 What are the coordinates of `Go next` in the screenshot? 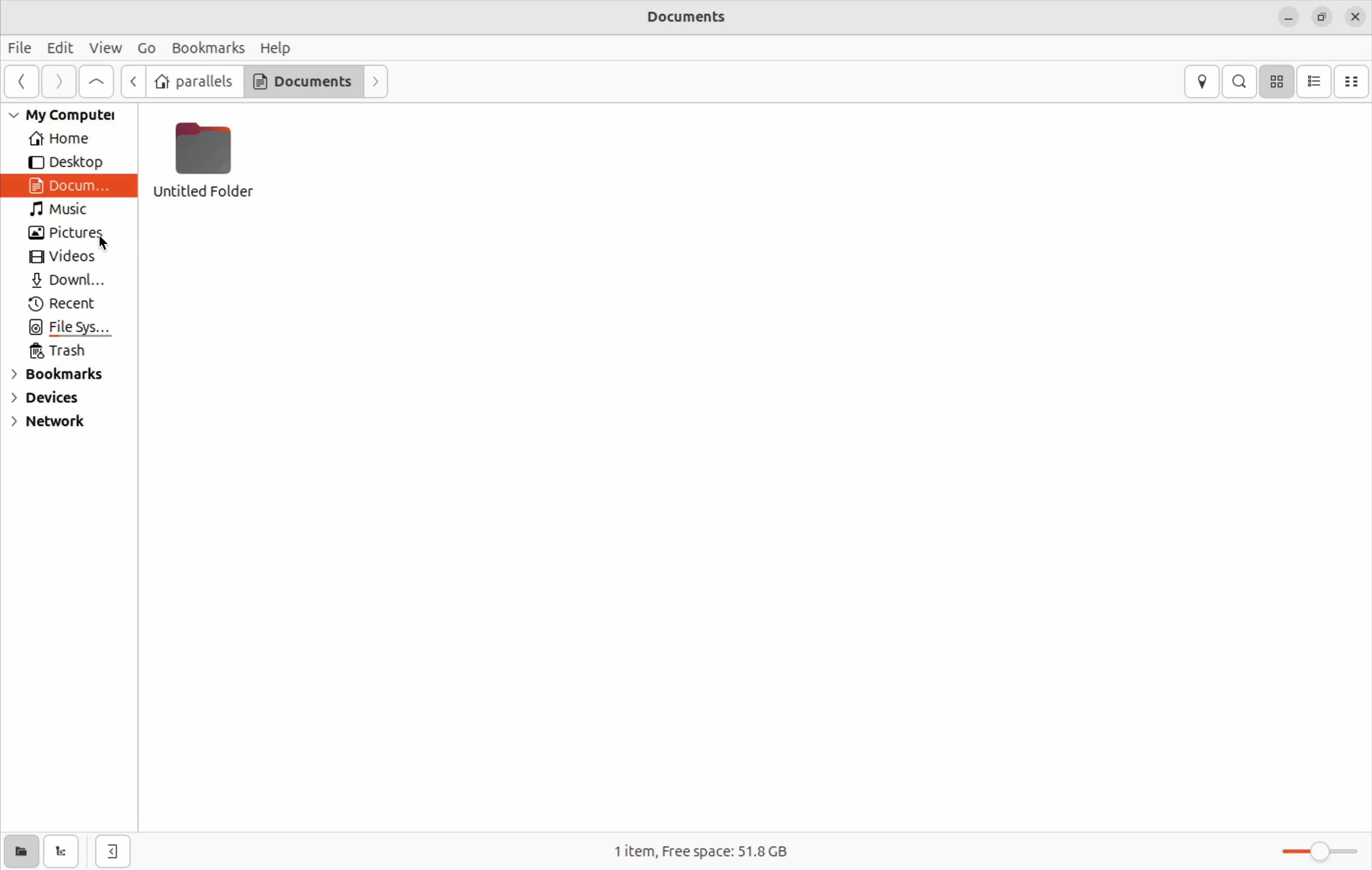 It's located at (59, 82).